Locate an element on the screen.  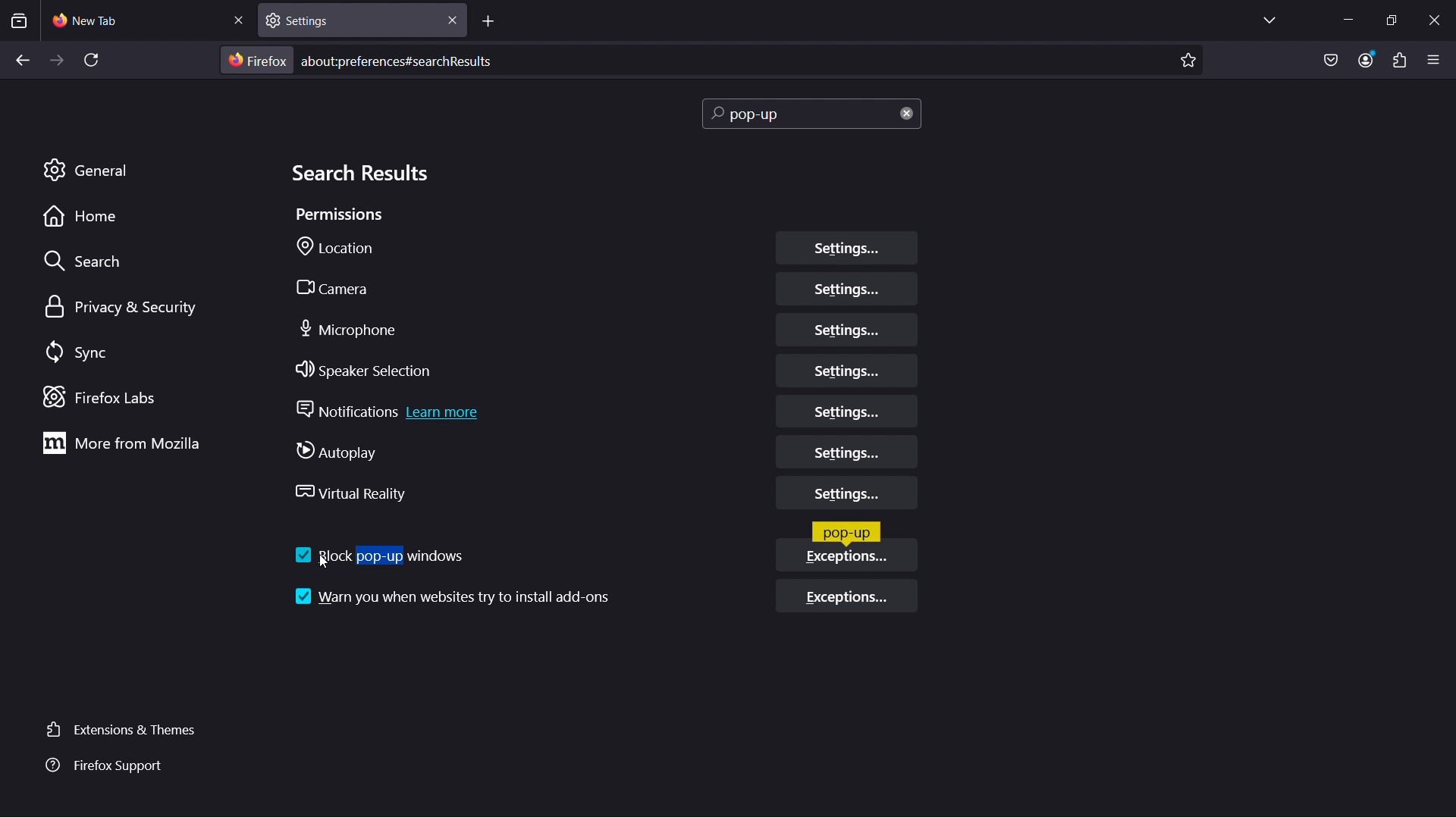
Notifications Learn More is located at coordinates (390, 413).